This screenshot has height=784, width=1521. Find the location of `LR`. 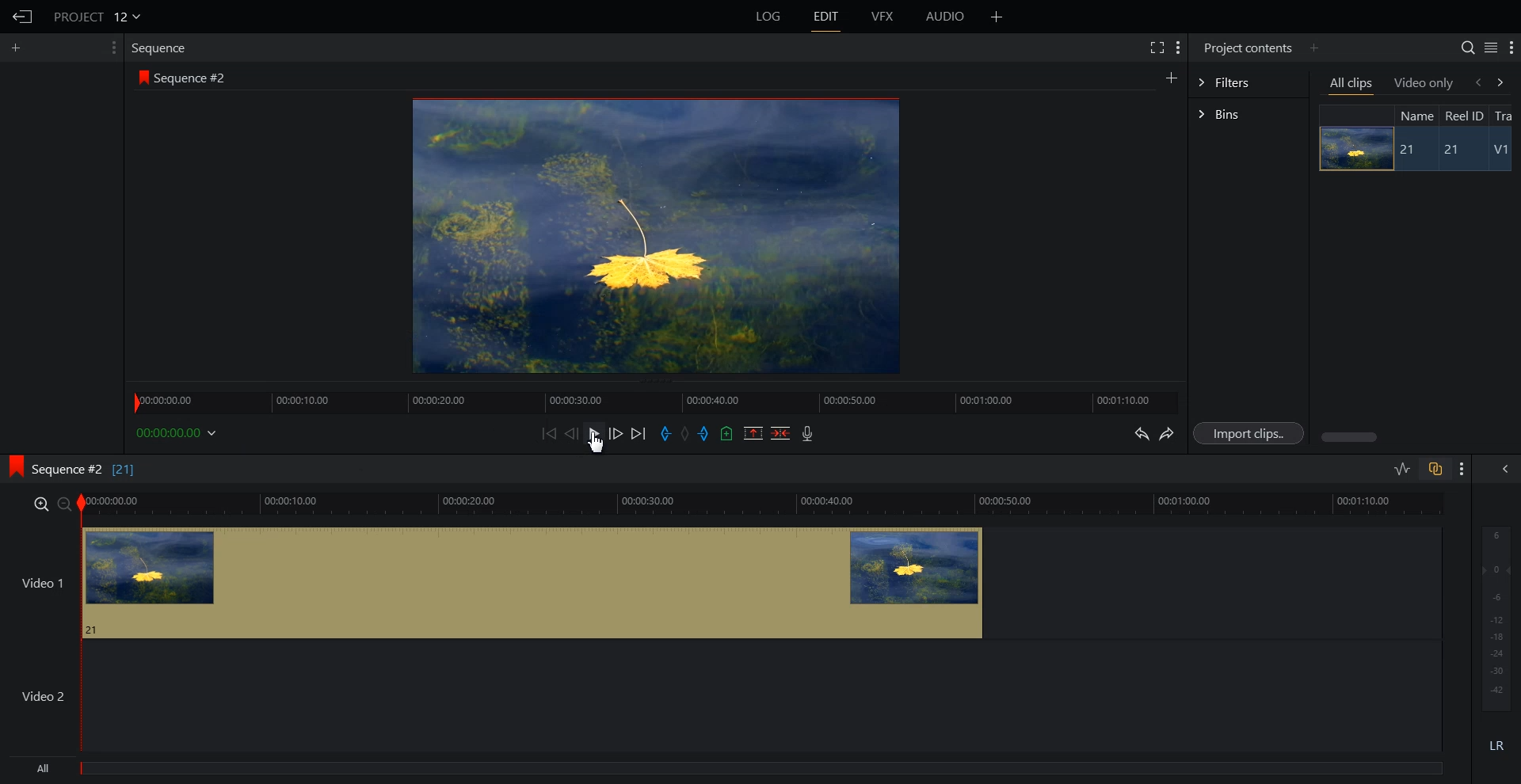

LR is located at coordinates (1497, 743).